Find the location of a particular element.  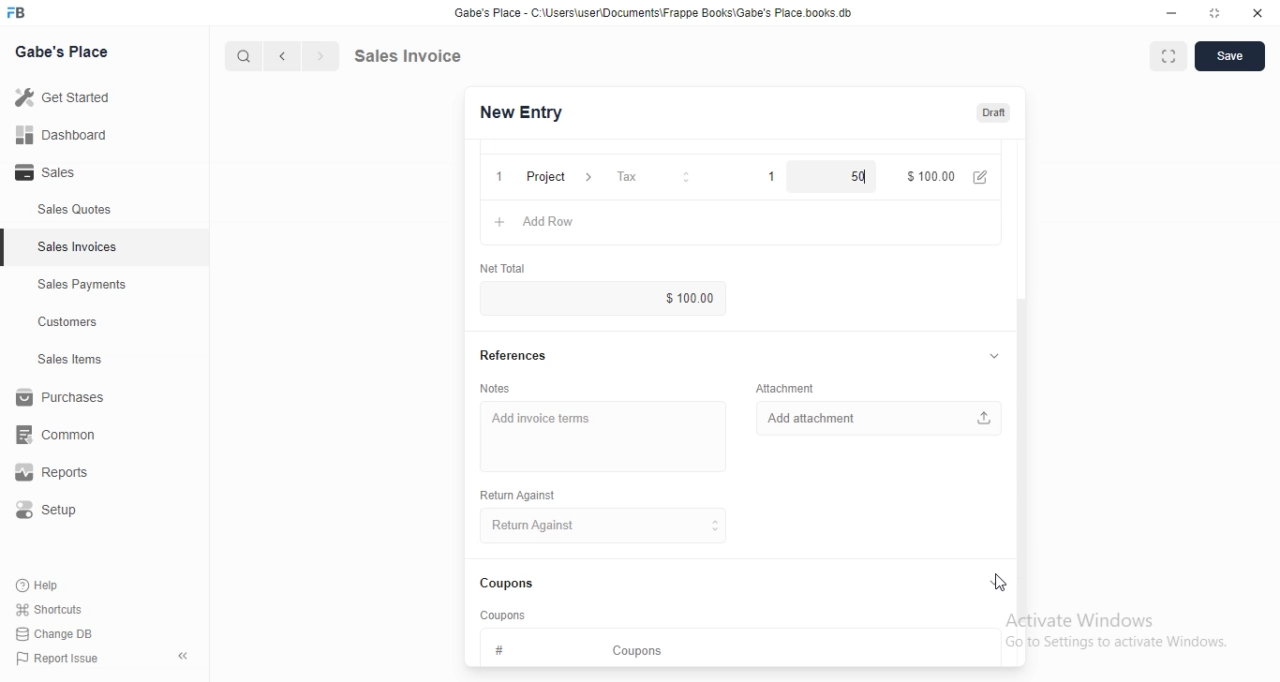

Add row is located at coordinates (555, 222).